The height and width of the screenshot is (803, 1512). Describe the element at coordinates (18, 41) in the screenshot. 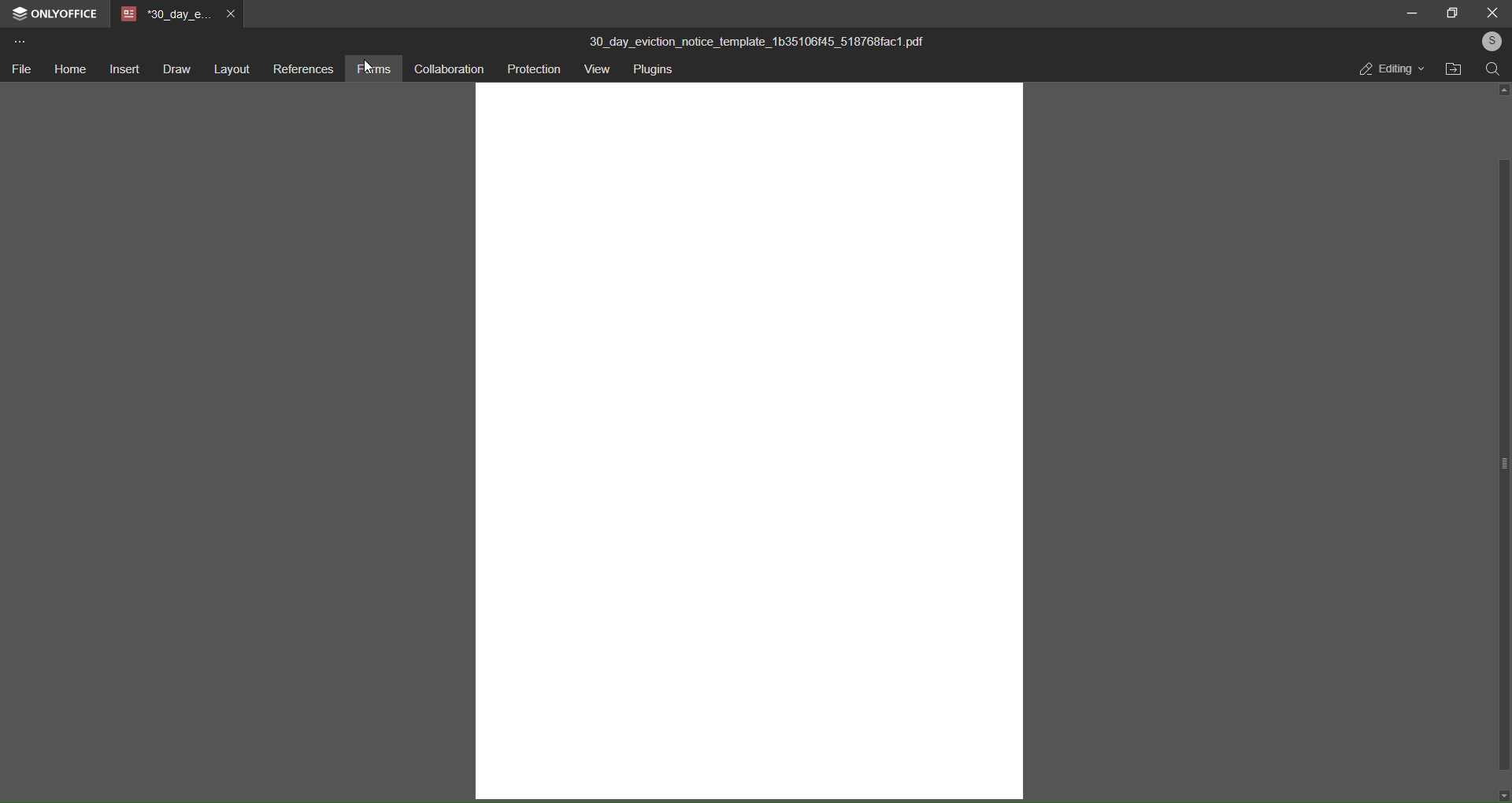

I see `more` at that location.